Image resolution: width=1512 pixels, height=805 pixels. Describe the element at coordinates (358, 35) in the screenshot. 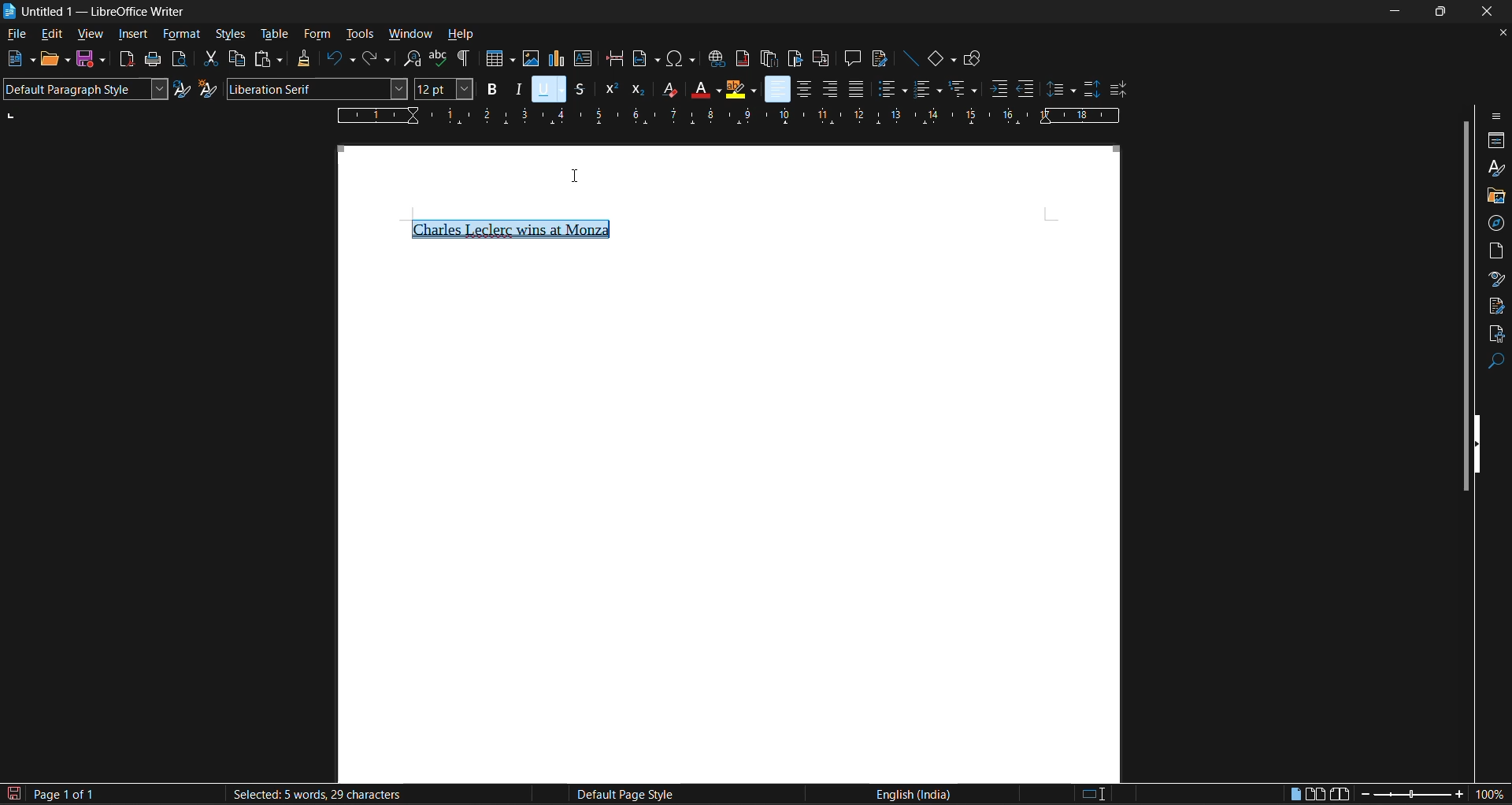

I see `tools` at that location.